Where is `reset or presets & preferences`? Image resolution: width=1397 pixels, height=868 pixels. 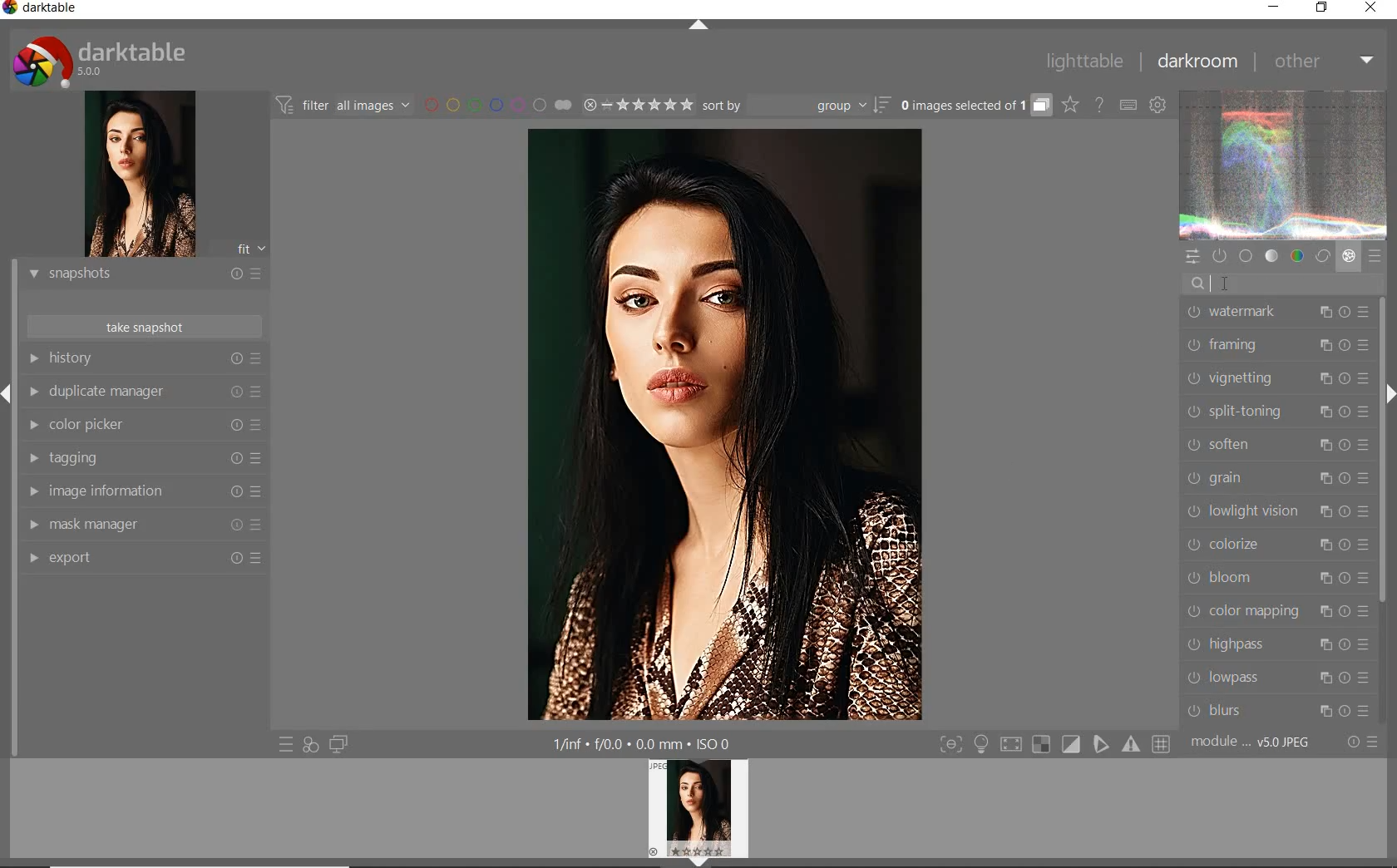 reset or presets & preferences is located at coordinates (1363, 745).